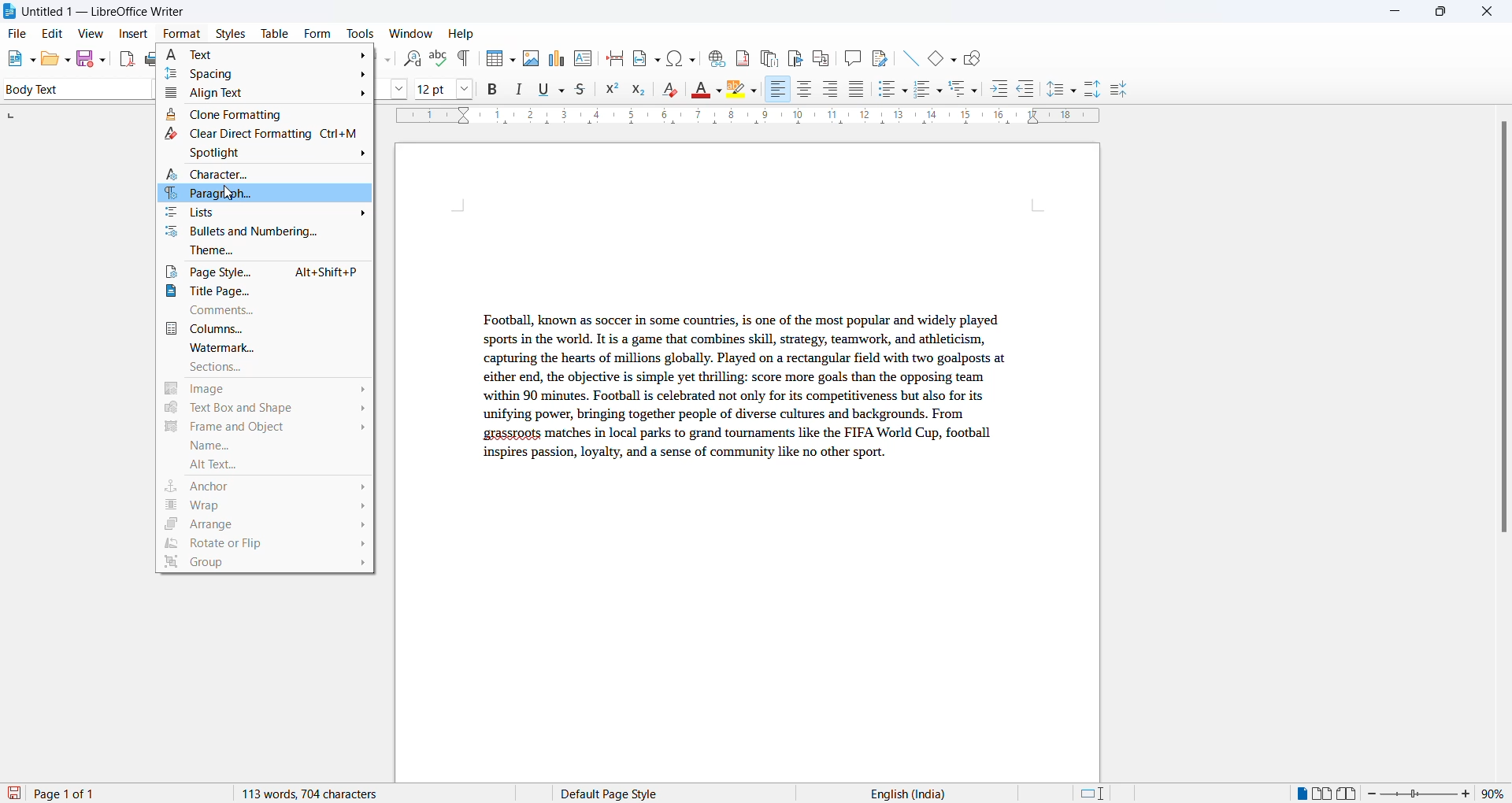 The image size is (1512, 803). What do you see at coordinates (585, 90) in the screenshot?
I see `strike through` at bounding box center [585, 90].